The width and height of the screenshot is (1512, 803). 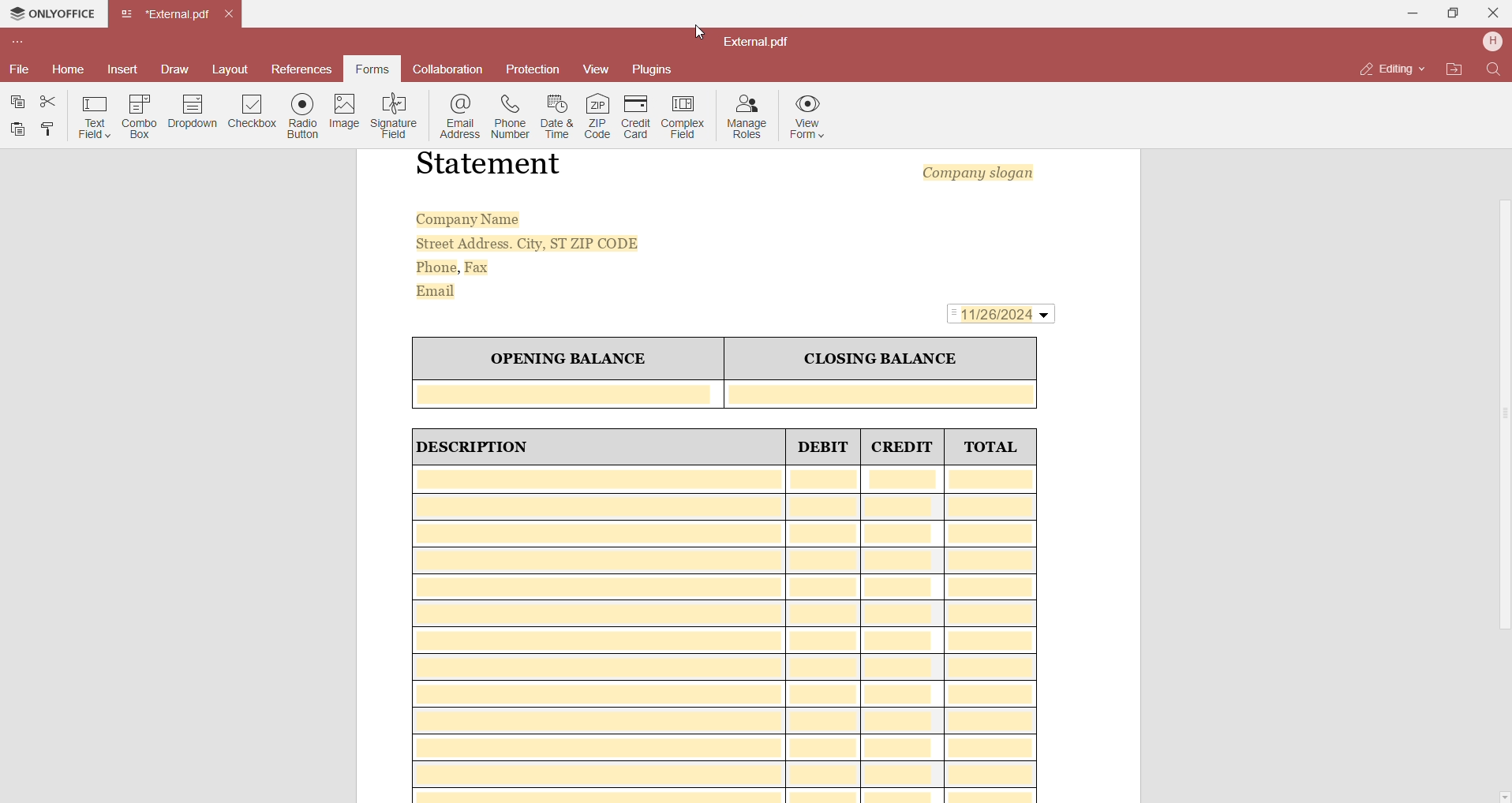 I want to click on Customize toolbar, so click(x=21, y=40).